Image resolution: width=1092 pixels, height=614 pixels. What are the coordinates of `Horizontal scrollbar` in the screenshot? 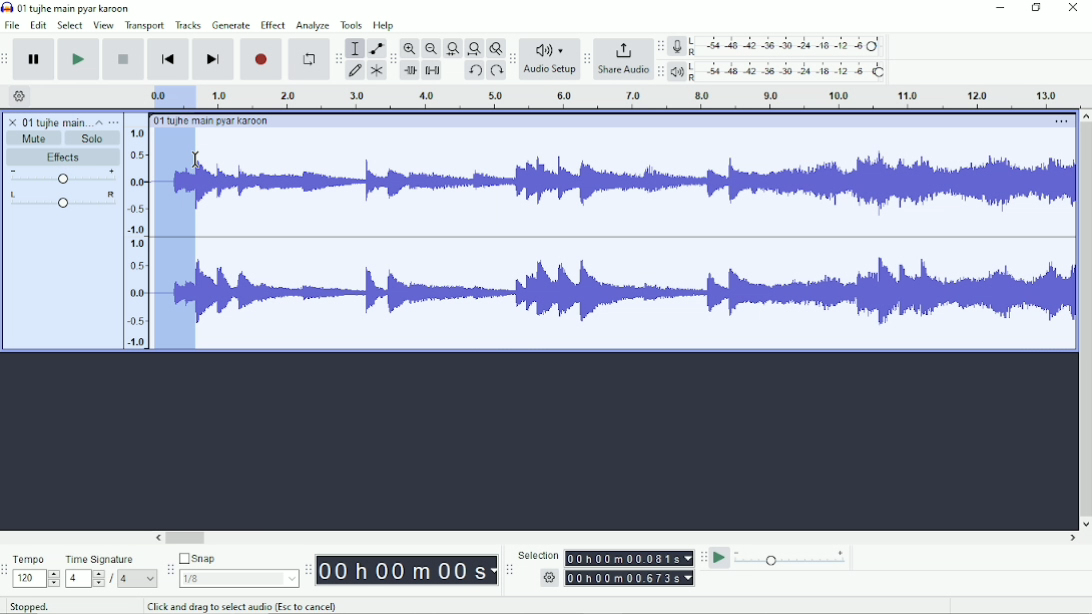 It's located at (617, 539).